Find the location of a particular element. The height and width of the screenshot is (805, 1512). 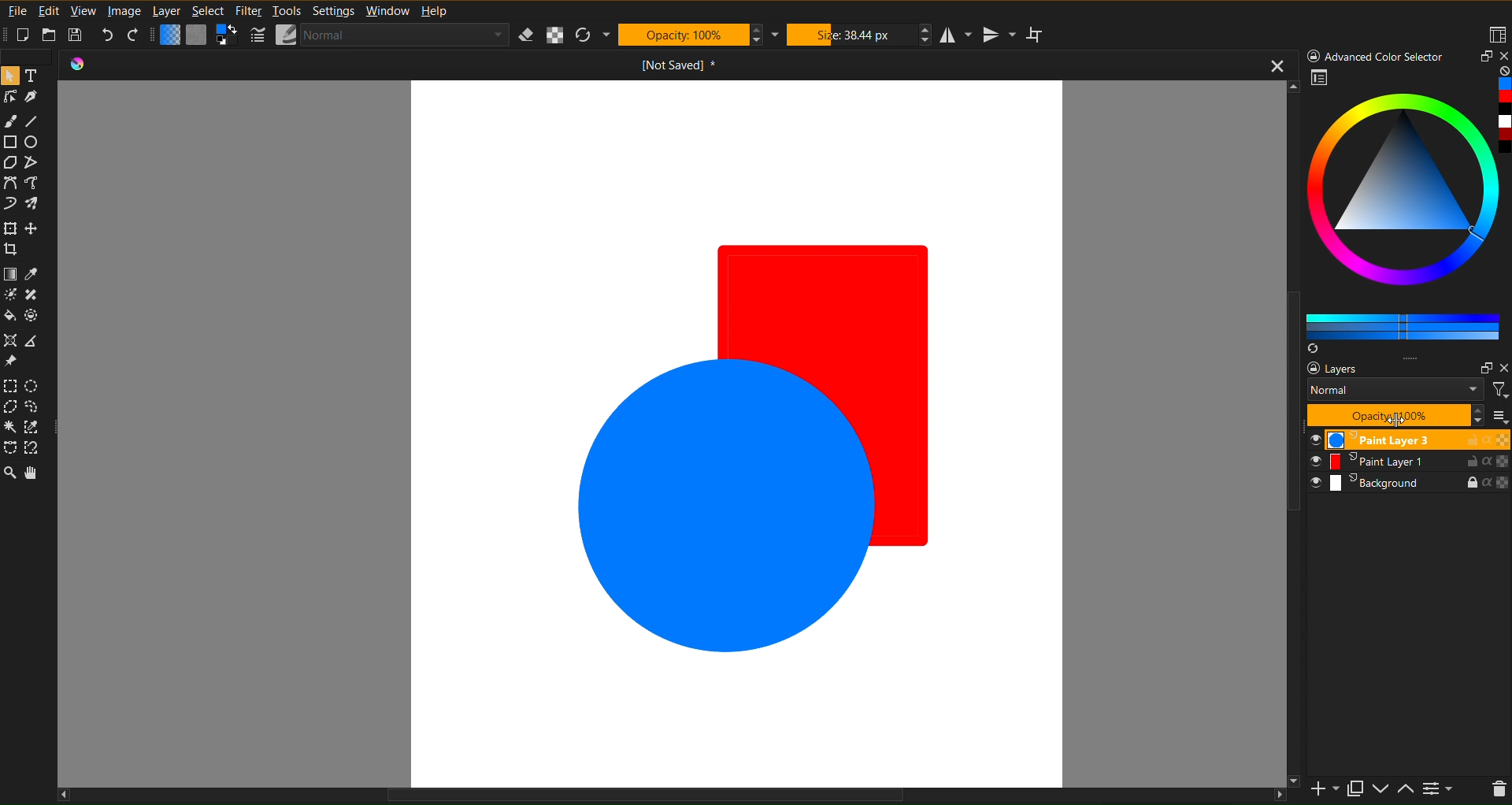

Line is located at coordinates (39, 121).